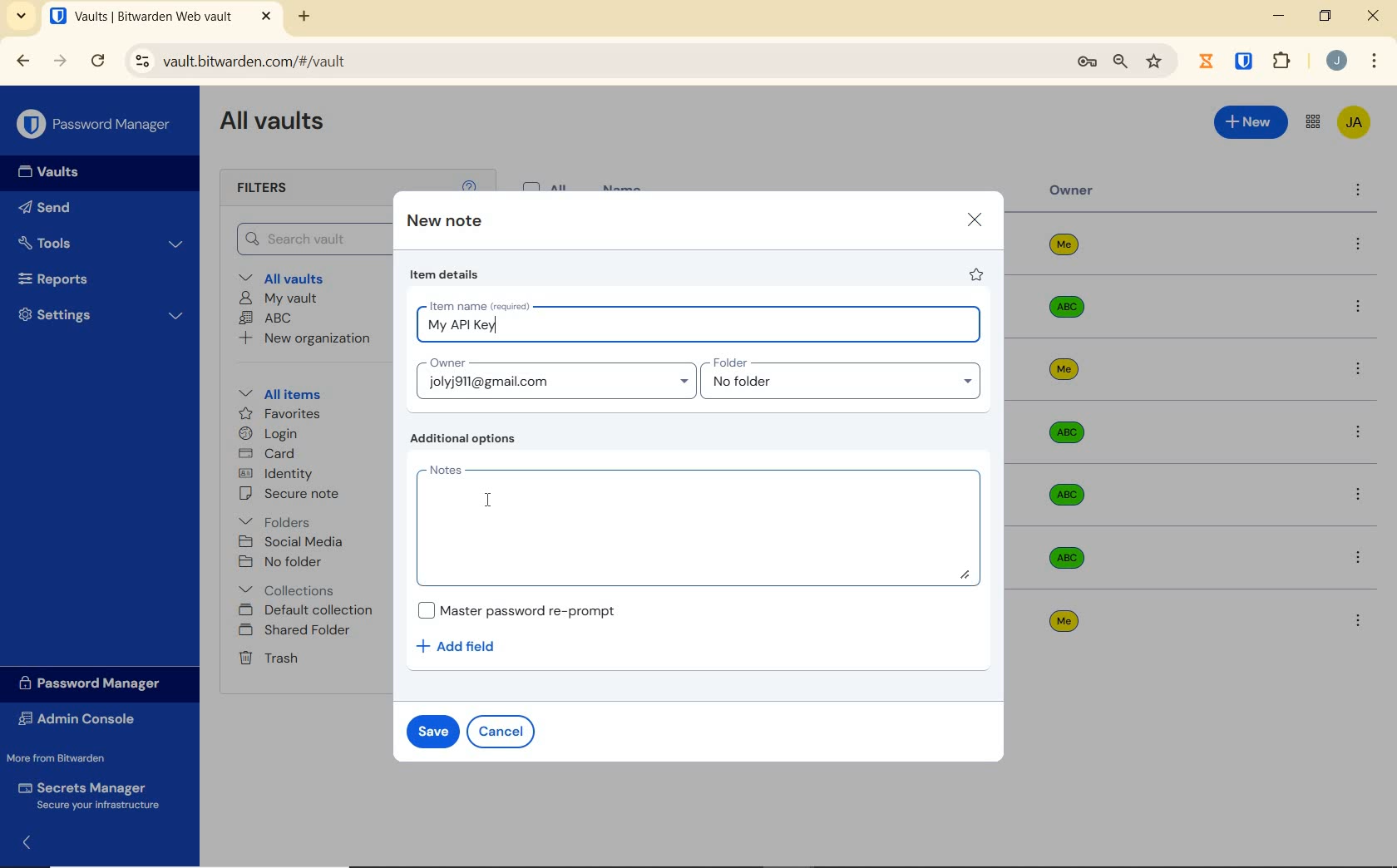 Image resolution: width=1397 pixels, height=868 pixels. Describe the element at coordinates (1281, 17) in the screenshot. I see `MINIMIZE` at that location.